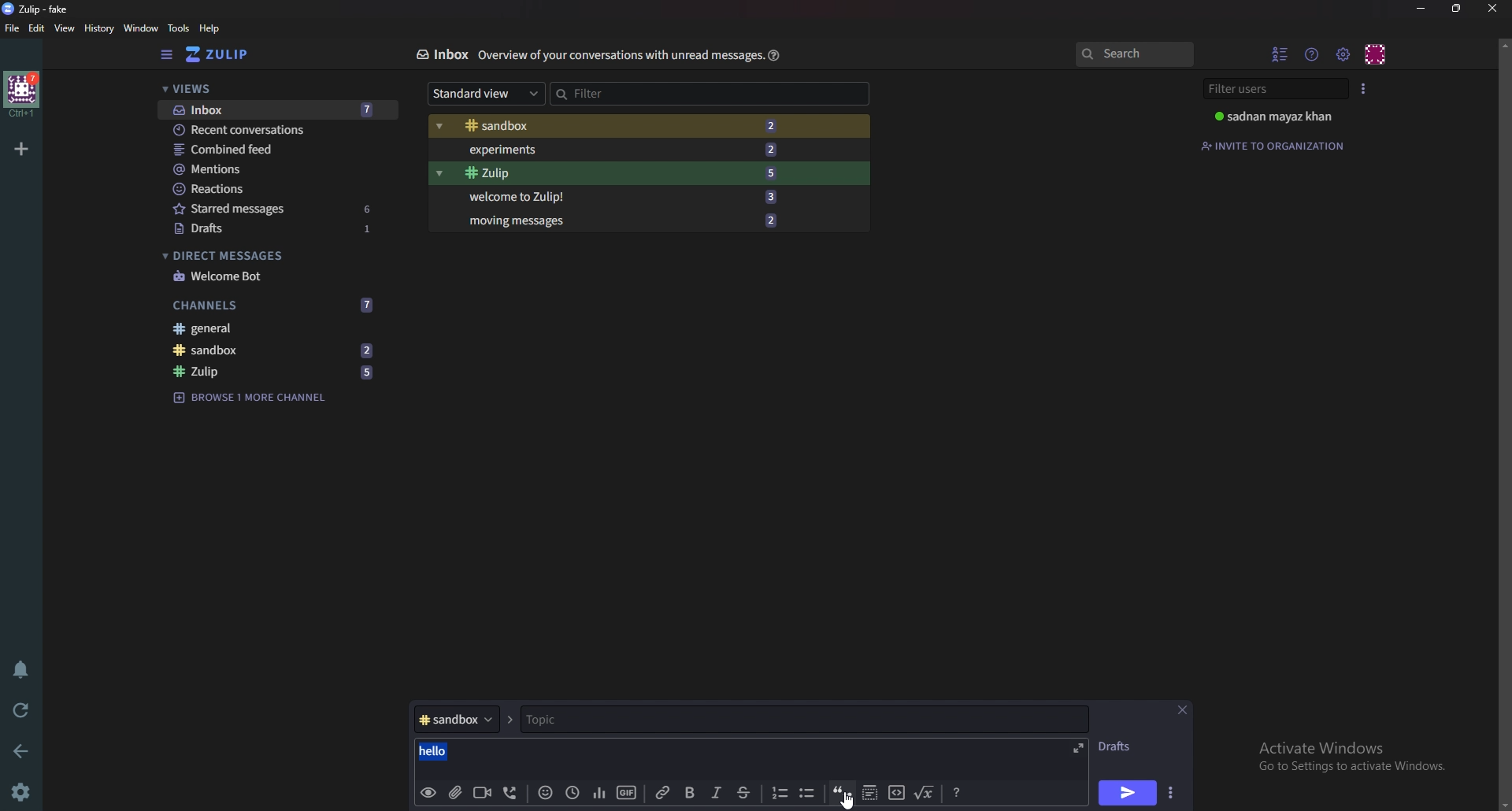 This screenshot has width=1512, height=811. I want to click on Filter users, so click(1271, 88).